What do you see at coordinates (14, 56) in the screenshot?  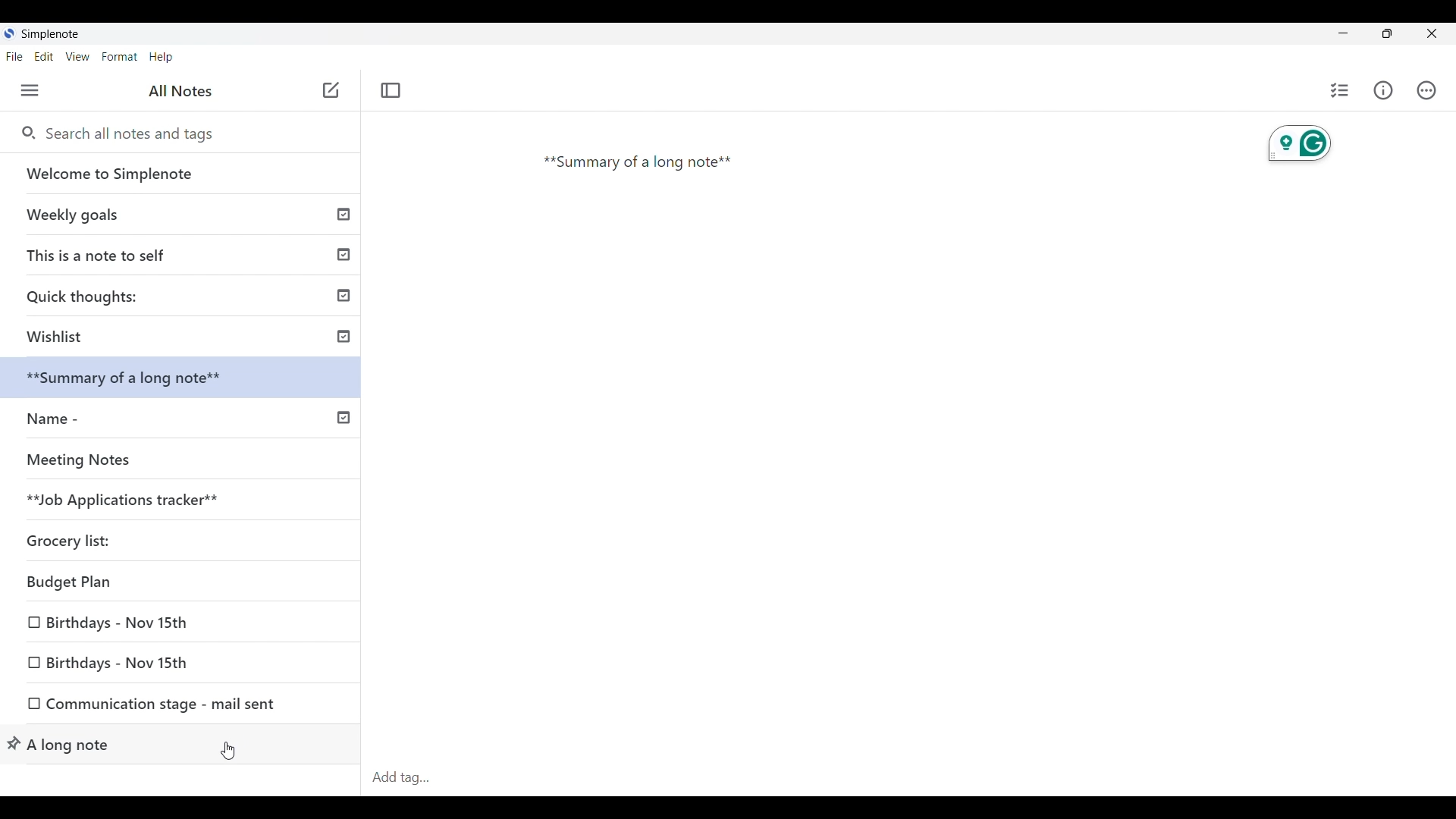 I see `File` at bounding box center [14, 56].